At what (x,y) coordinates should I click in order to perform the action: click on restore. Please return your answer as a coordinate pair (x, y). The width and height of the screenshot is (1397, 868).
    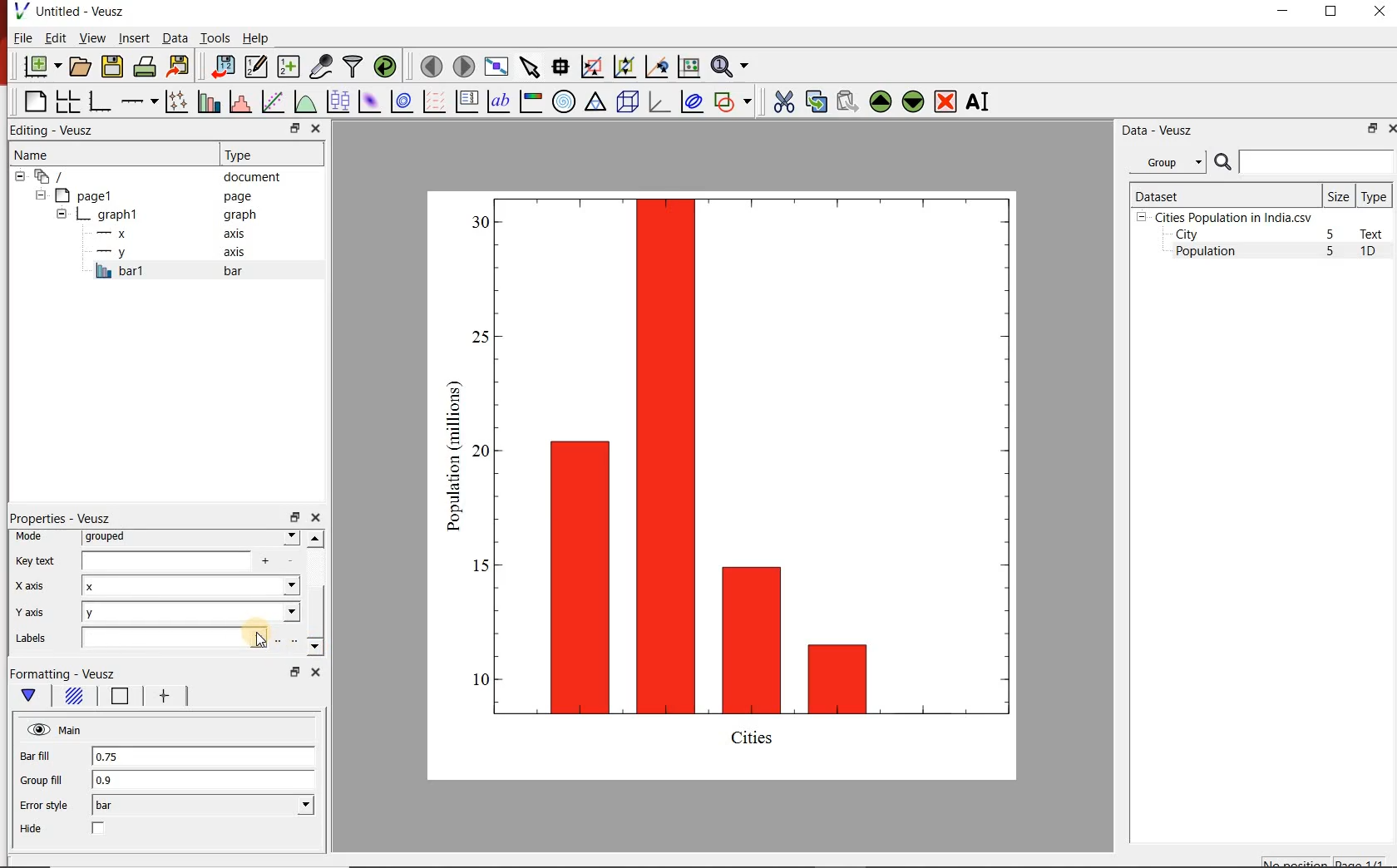
    Looking at the image, I should click on (294, 516).